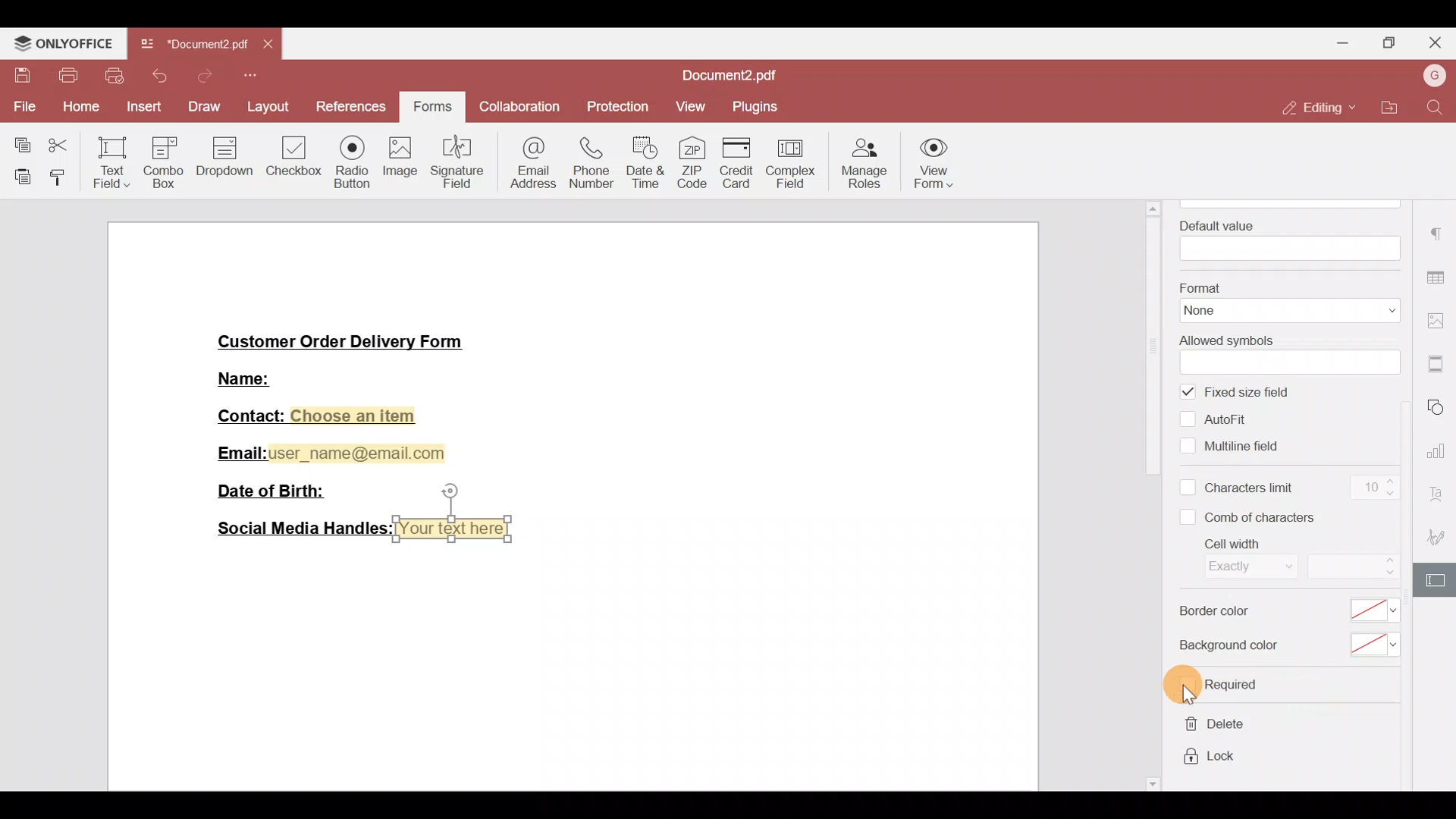 The image size is (1456, 819). Describe the element at coordinates (116, 76) in the screenshot. I see `Quick print` at that location.